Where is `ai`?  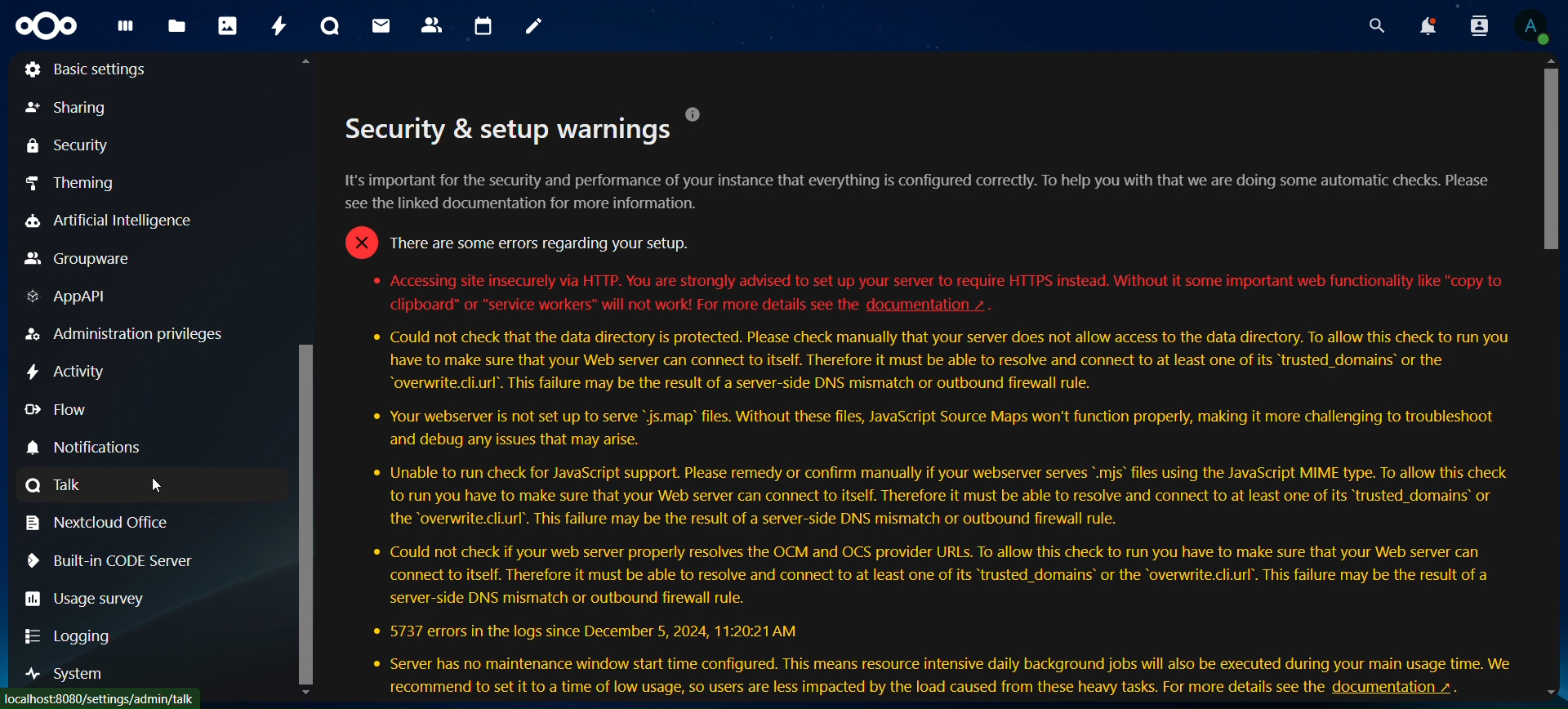 ai is located at coordinates (118, 224).